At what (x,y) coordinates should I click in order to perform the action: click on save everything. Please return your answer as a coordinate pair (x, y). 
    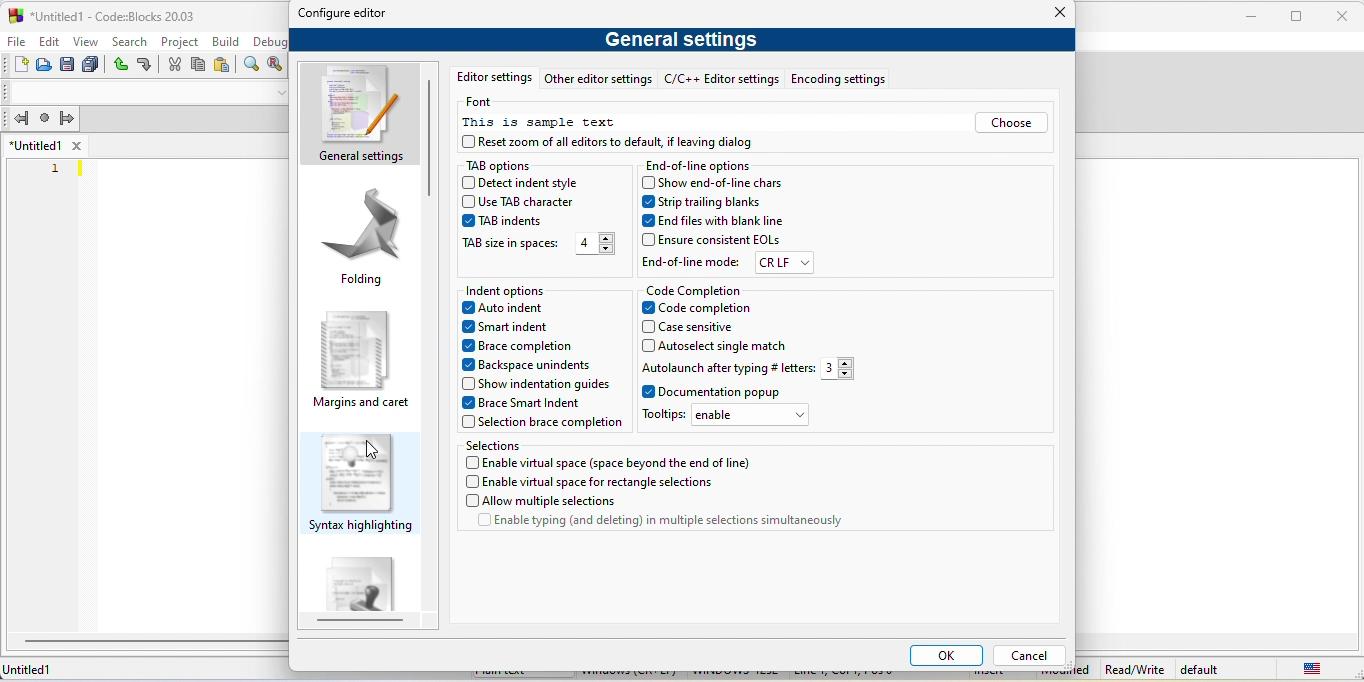
    Looking at the image, I should click on (91, 65).